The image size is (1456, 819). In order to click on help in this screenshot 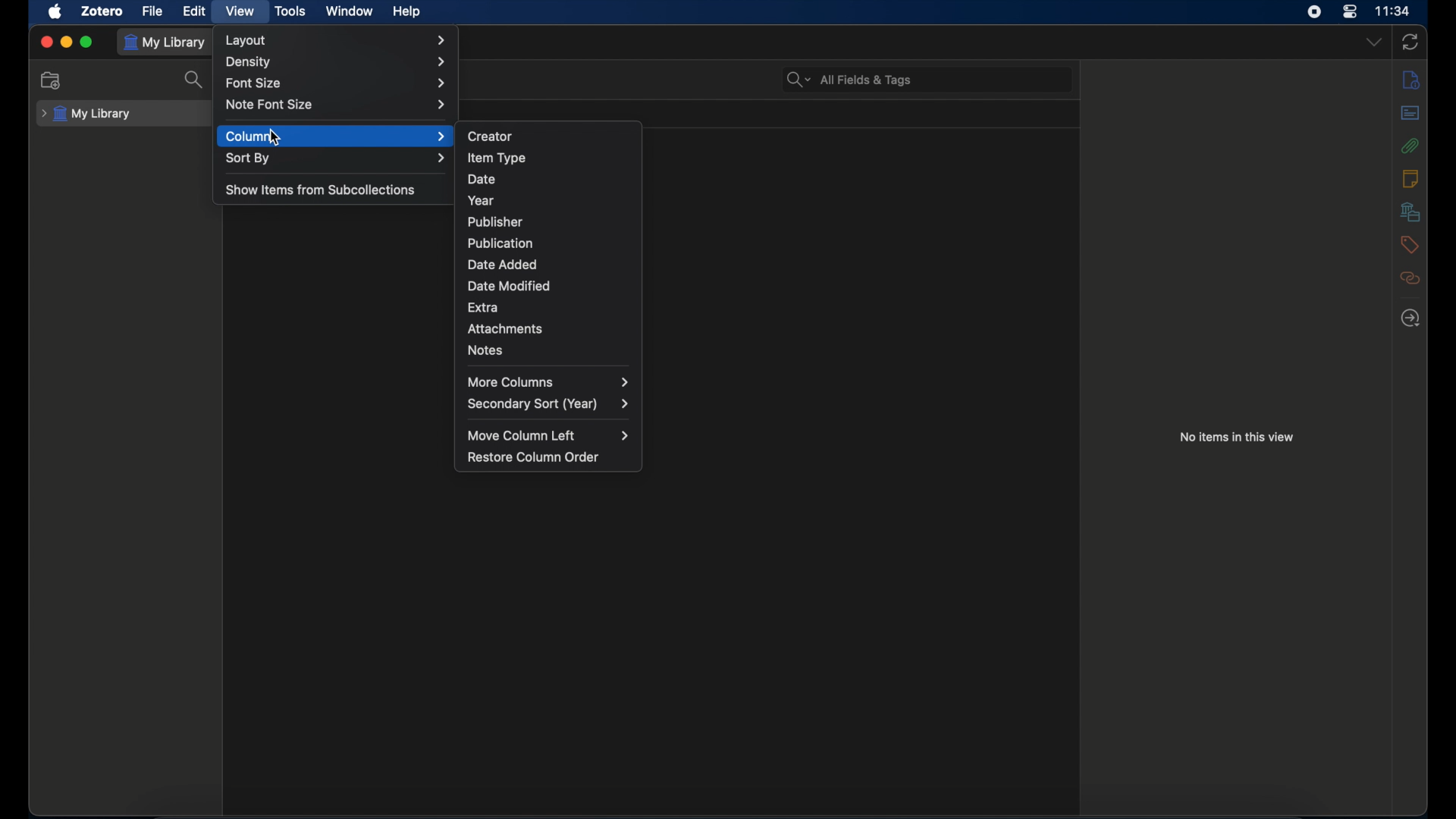, I will do `click(406, 11)`.